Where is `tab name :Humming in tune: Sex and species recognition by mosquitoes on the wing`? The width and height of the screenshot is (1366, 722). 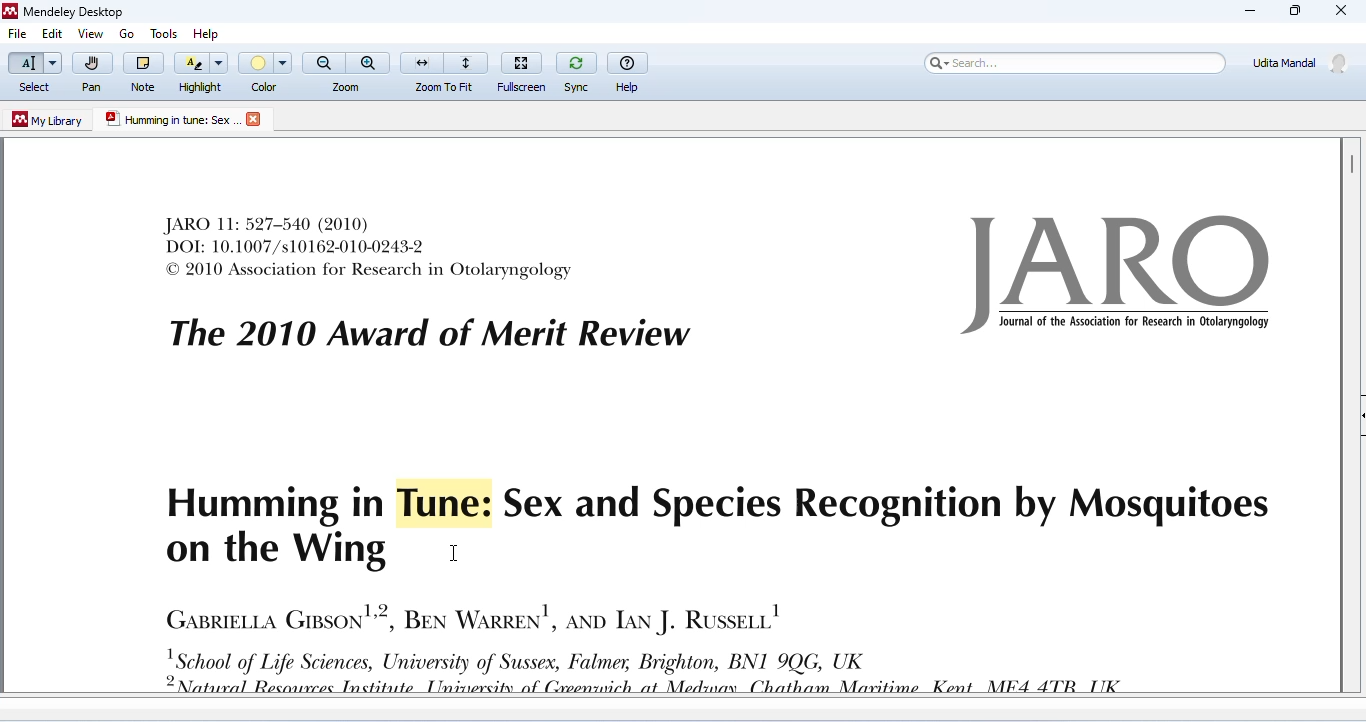
tab name :Humming in tune: Sex and species recognition by mosquitoes on the wing is located at coordinates (171, 120).